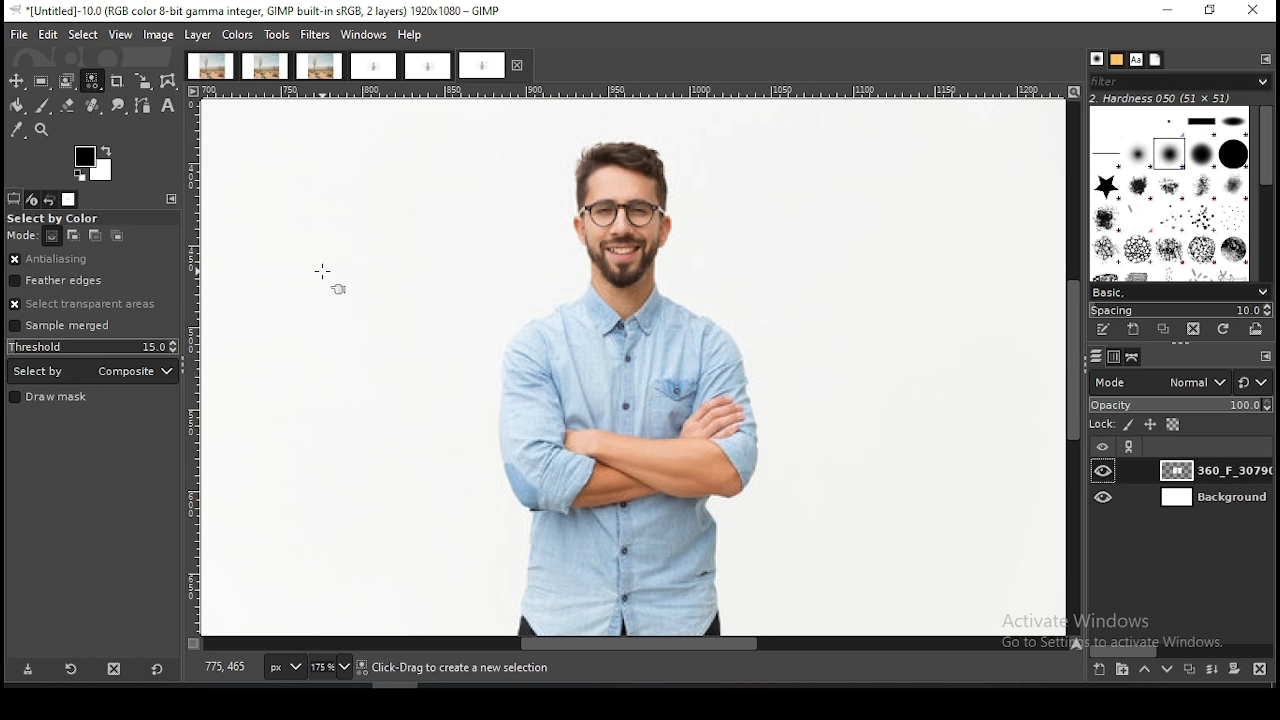  What do you see at coordinates (1179, 293) in the screenshot?
I see `brush presets` at bounding box center [1179, 293].